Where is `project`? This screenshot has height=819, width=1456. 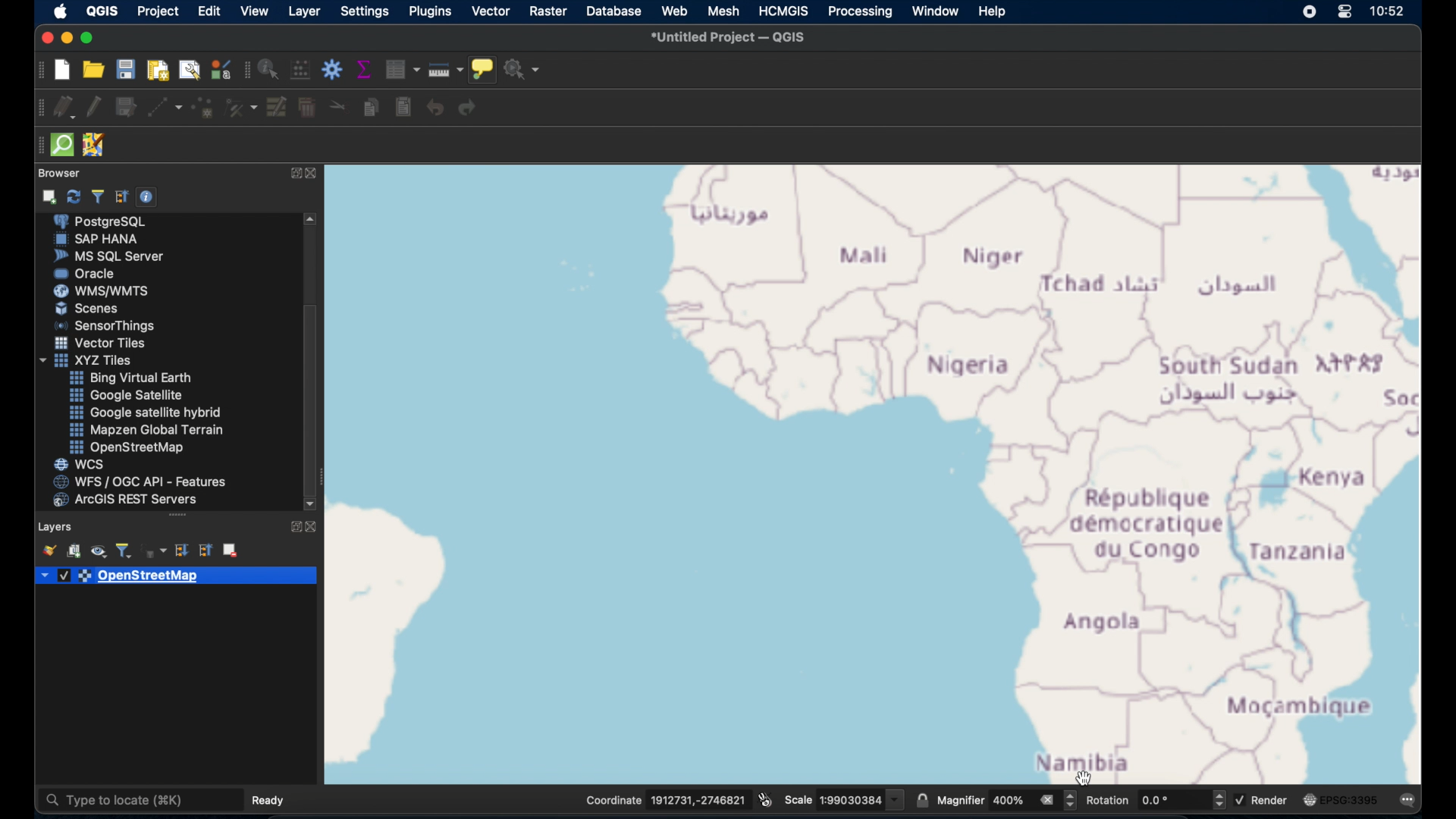
project is located at coordinates (156, 11).